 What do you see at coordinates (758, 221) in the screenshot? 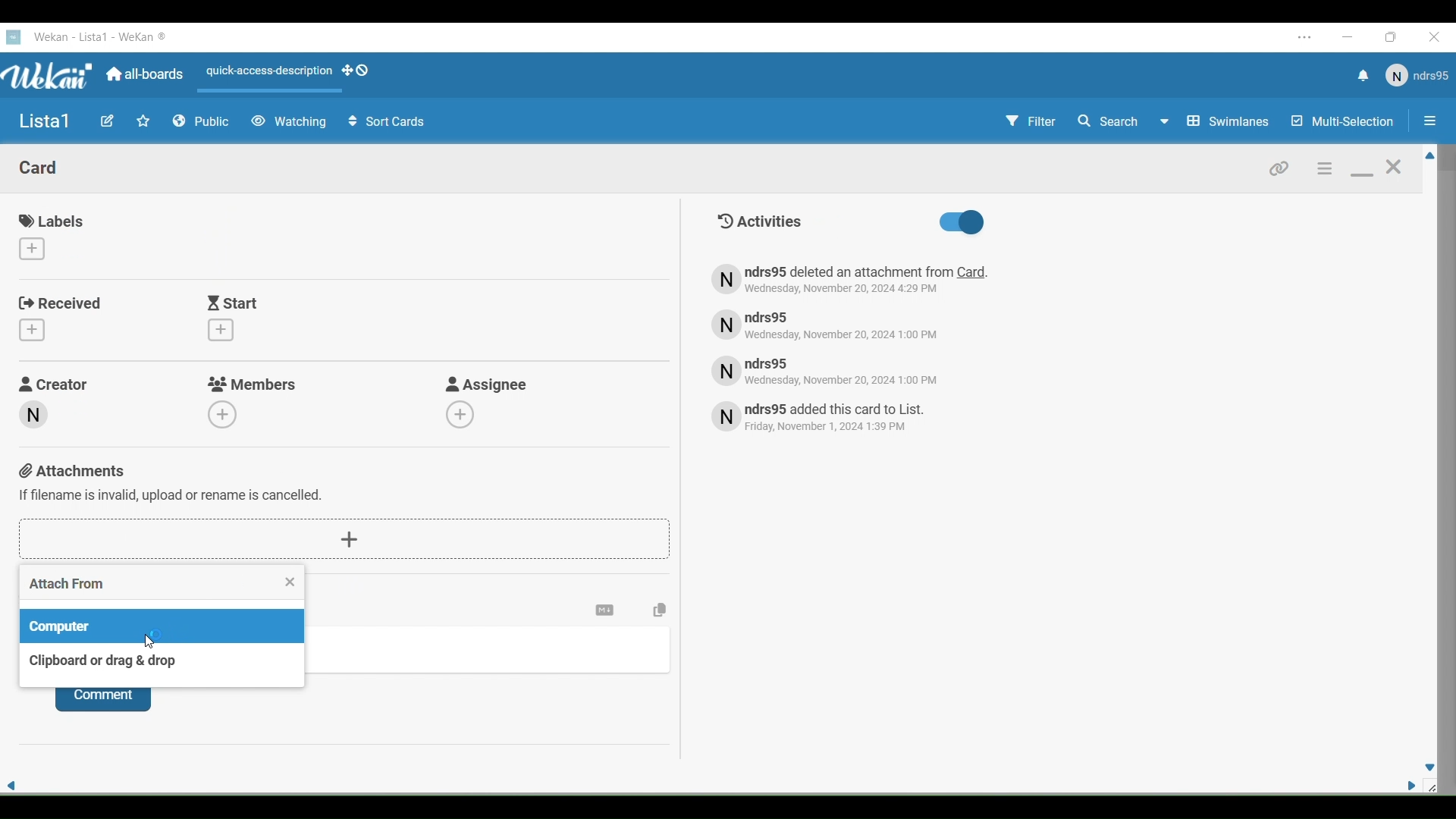
I see `Text` at bounding box center [758, 221].